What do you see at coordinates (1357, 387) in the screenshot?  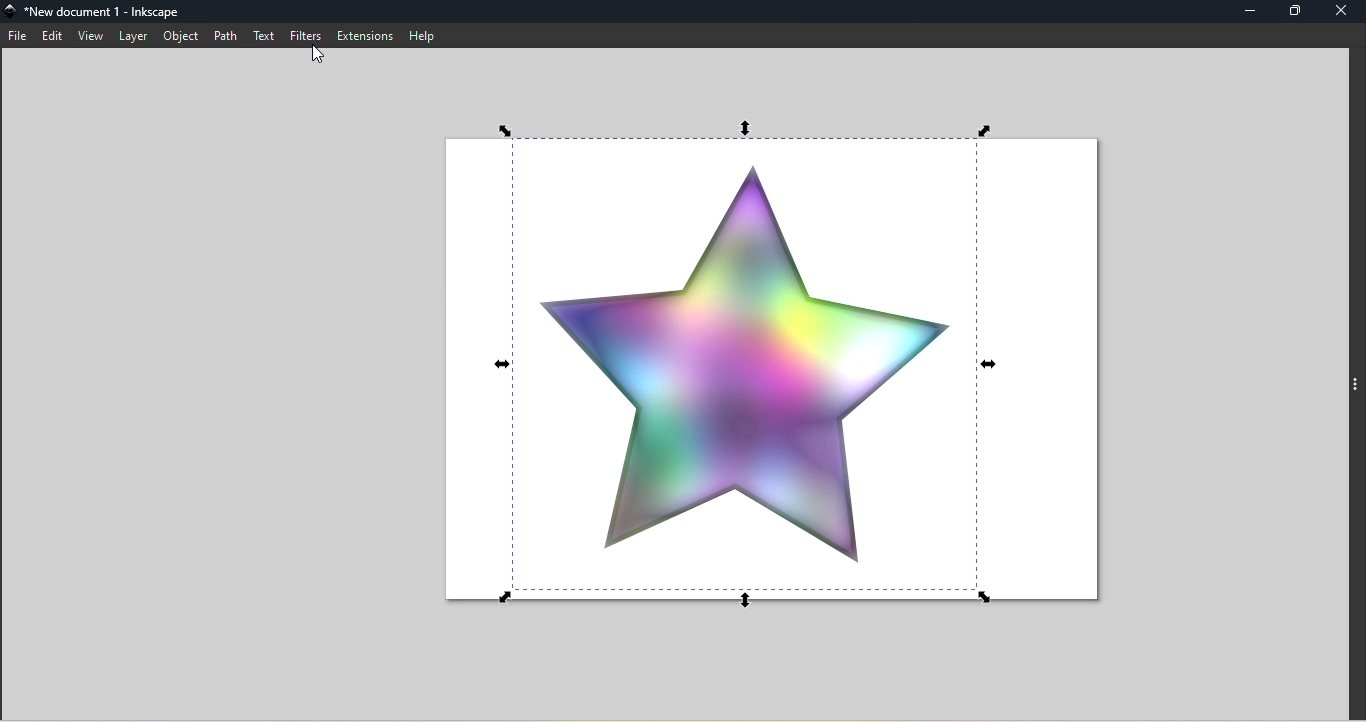 I see `Toggle command panel` at bounding box center [1357, 387].